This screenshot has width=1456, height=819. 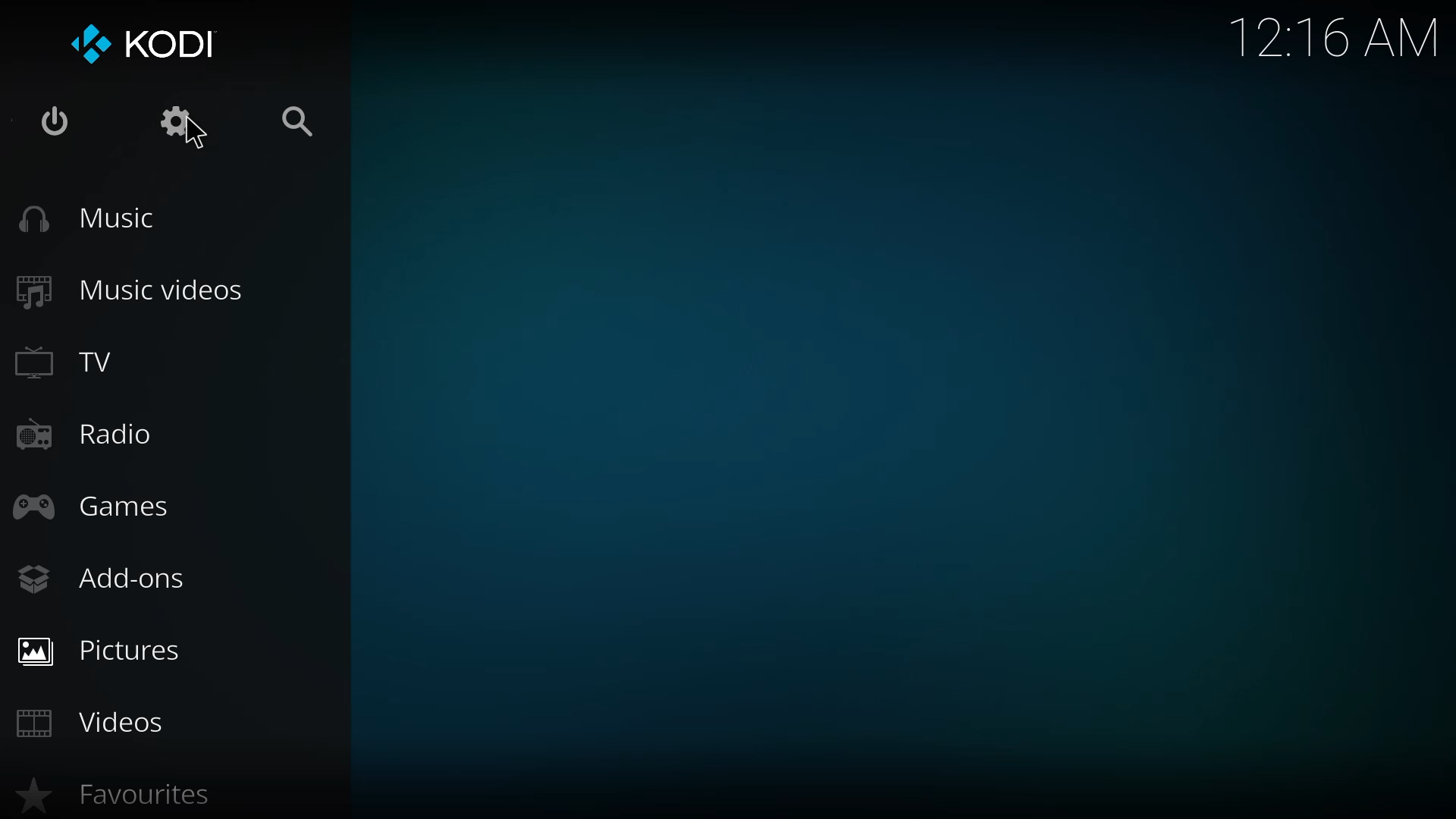 What do you see at coordinates (197, 140) in the screenshot?
I see `cursor` at bounding box center [197, 140].